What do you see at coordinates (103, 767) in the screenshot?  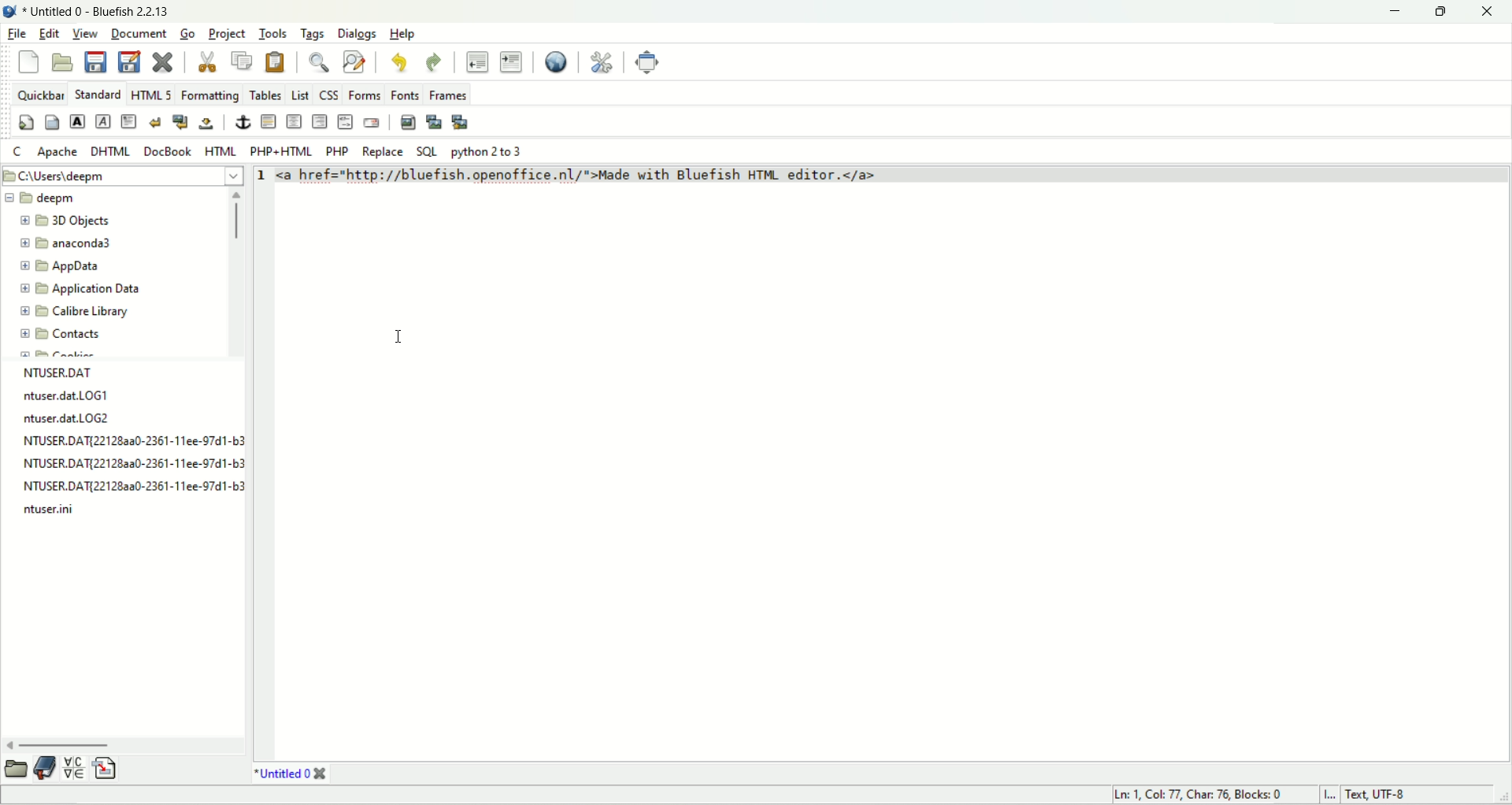 I see `insert file` at bounding box center [103, 767].